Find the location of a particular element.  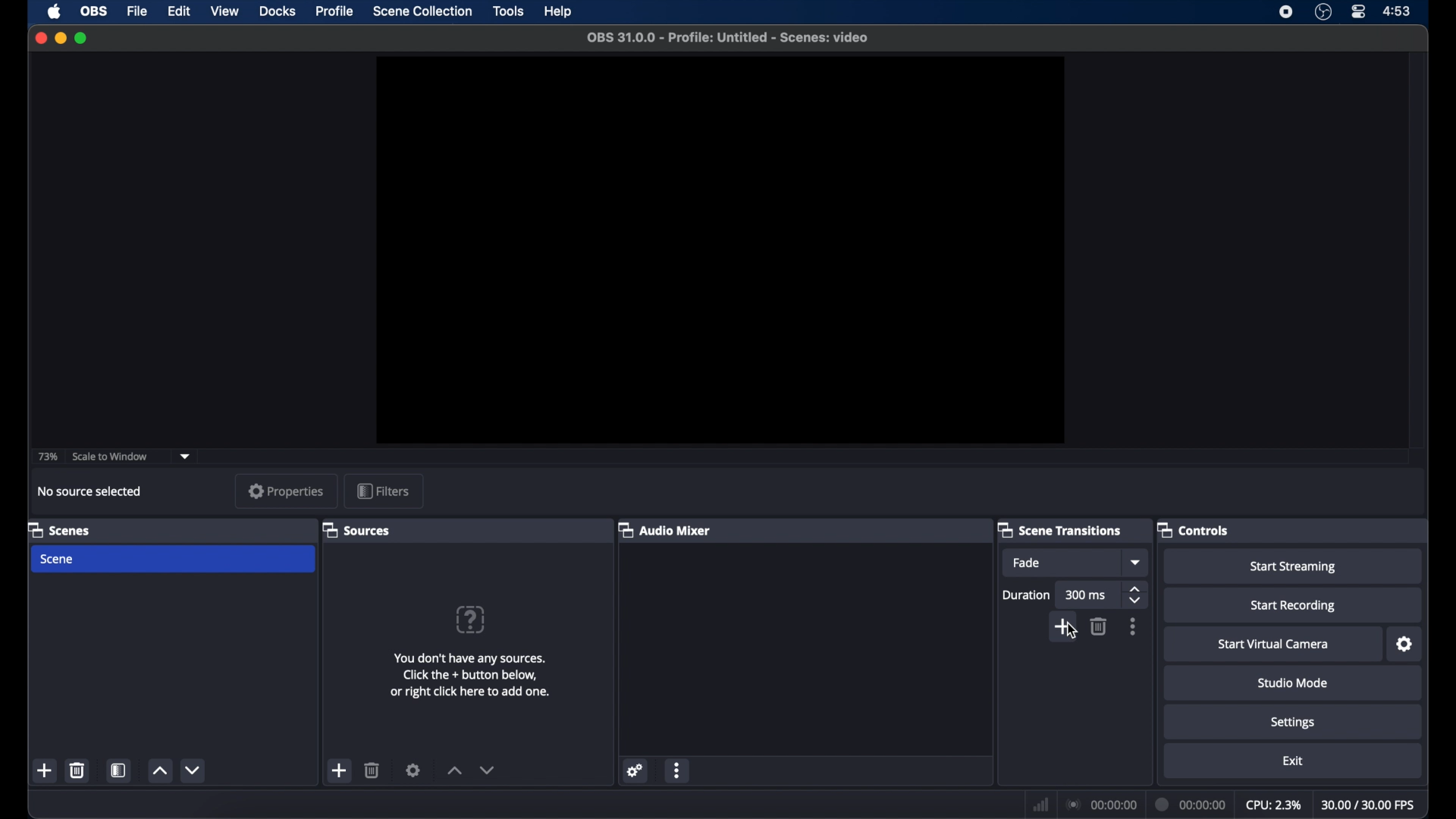

maximize is located at coordinates (82, 37).